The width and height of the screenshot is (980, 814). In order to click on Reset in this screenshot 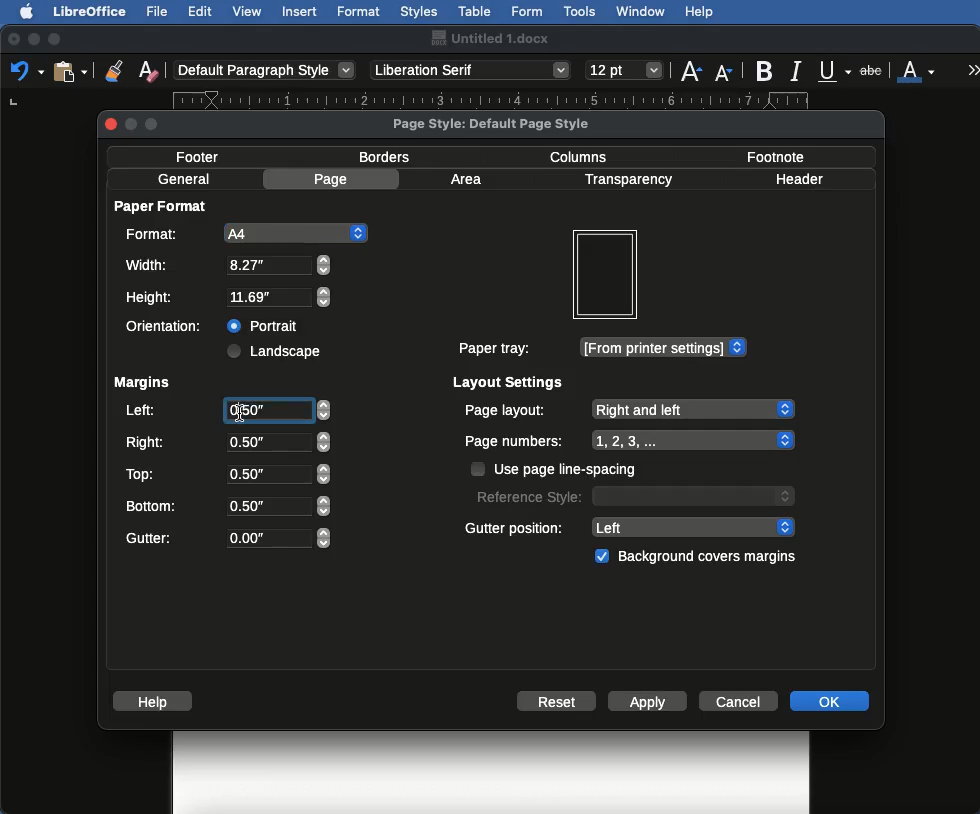, I will do `click(557, 703)`.